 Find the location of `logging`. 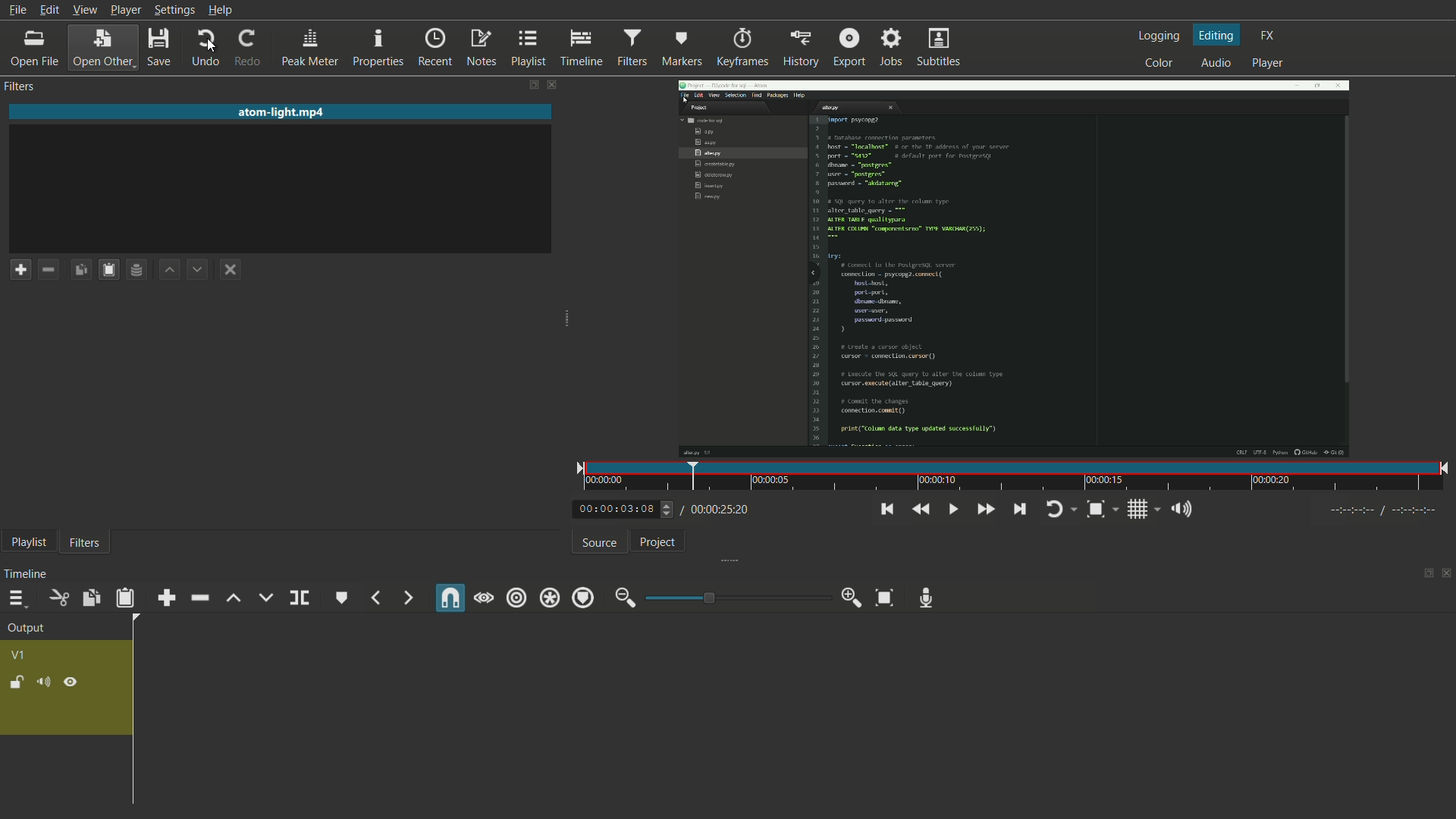

logging is located at coordinates (1158, 35).